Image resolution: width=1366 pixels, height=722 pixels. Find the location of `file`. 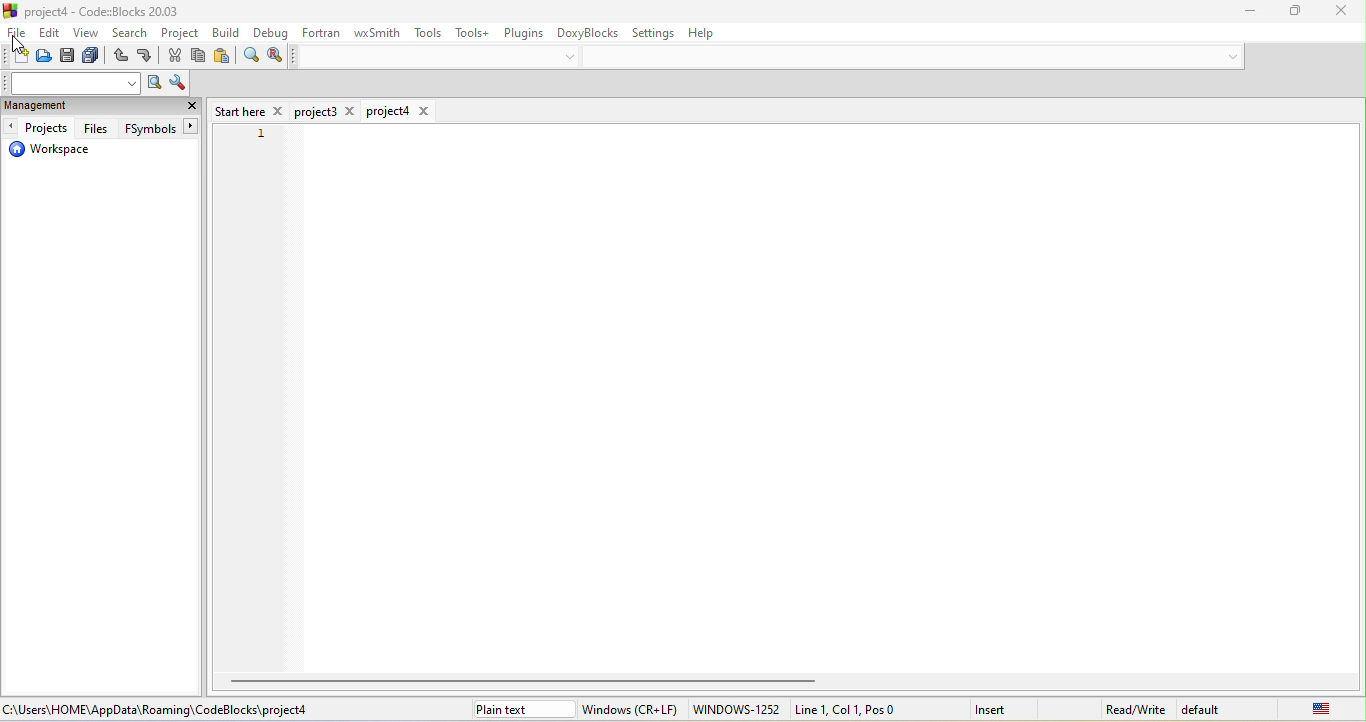

file is located at coordinates (16, 35).